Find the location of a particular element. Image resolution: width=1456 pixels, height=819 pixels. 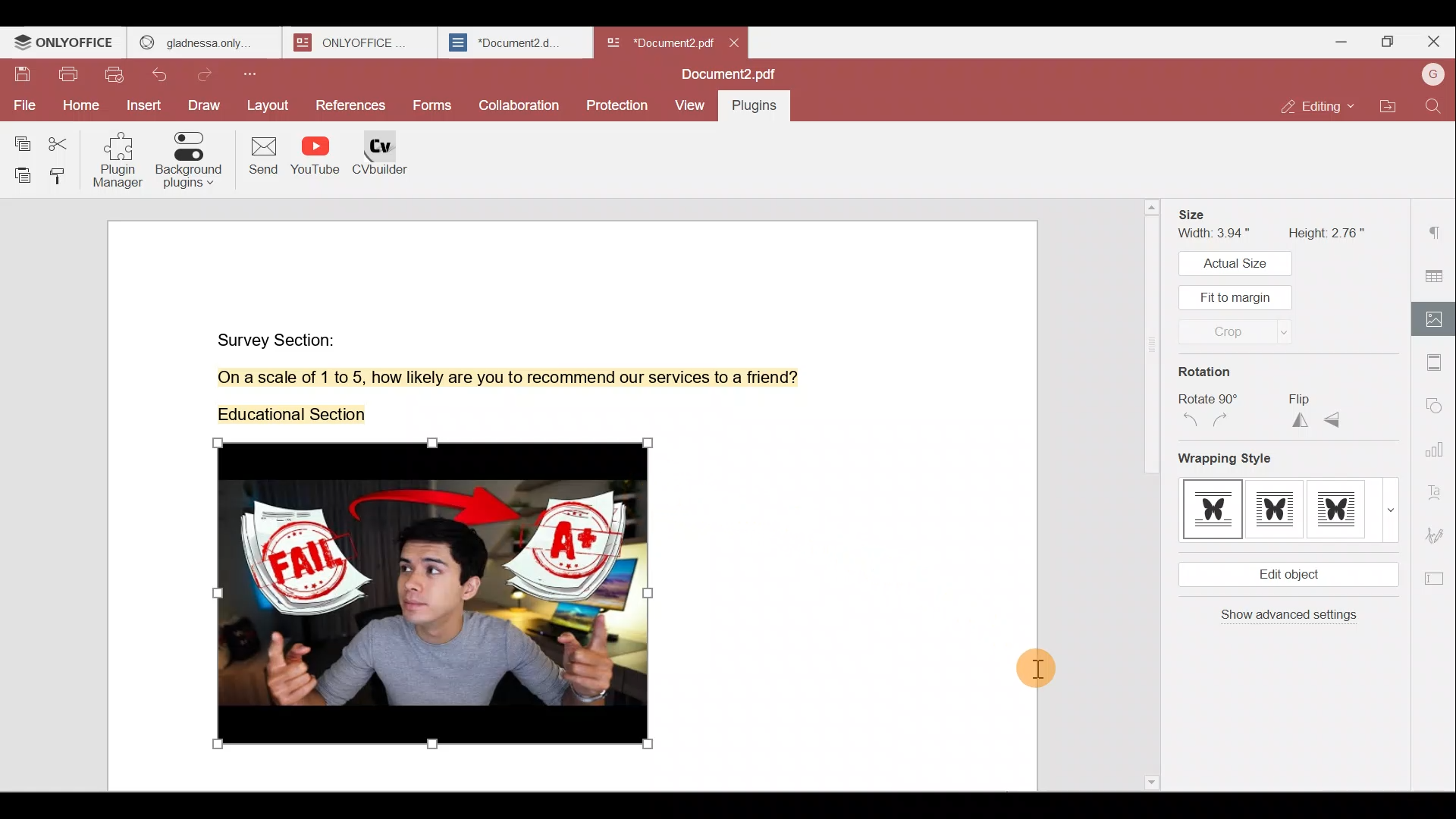

Editing mode is located at coordinates (1320, 106).